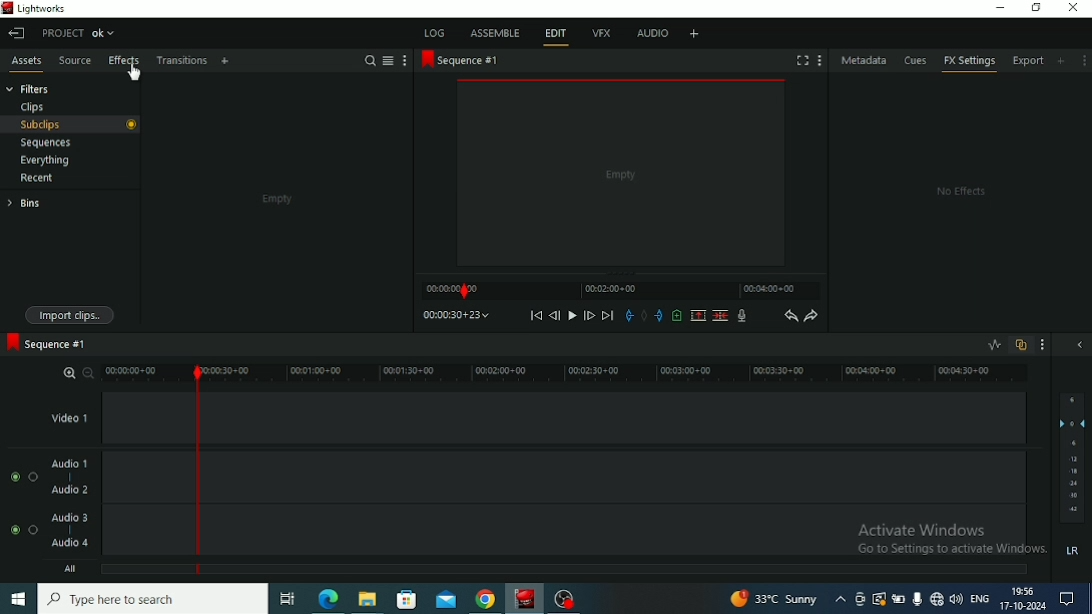 Image resolution: width=1092 pixels, height=614 pixels. What do you see at coordinates (486, 598) in the screenshot?
I see `Chrome` at bounding box center [486, 598].